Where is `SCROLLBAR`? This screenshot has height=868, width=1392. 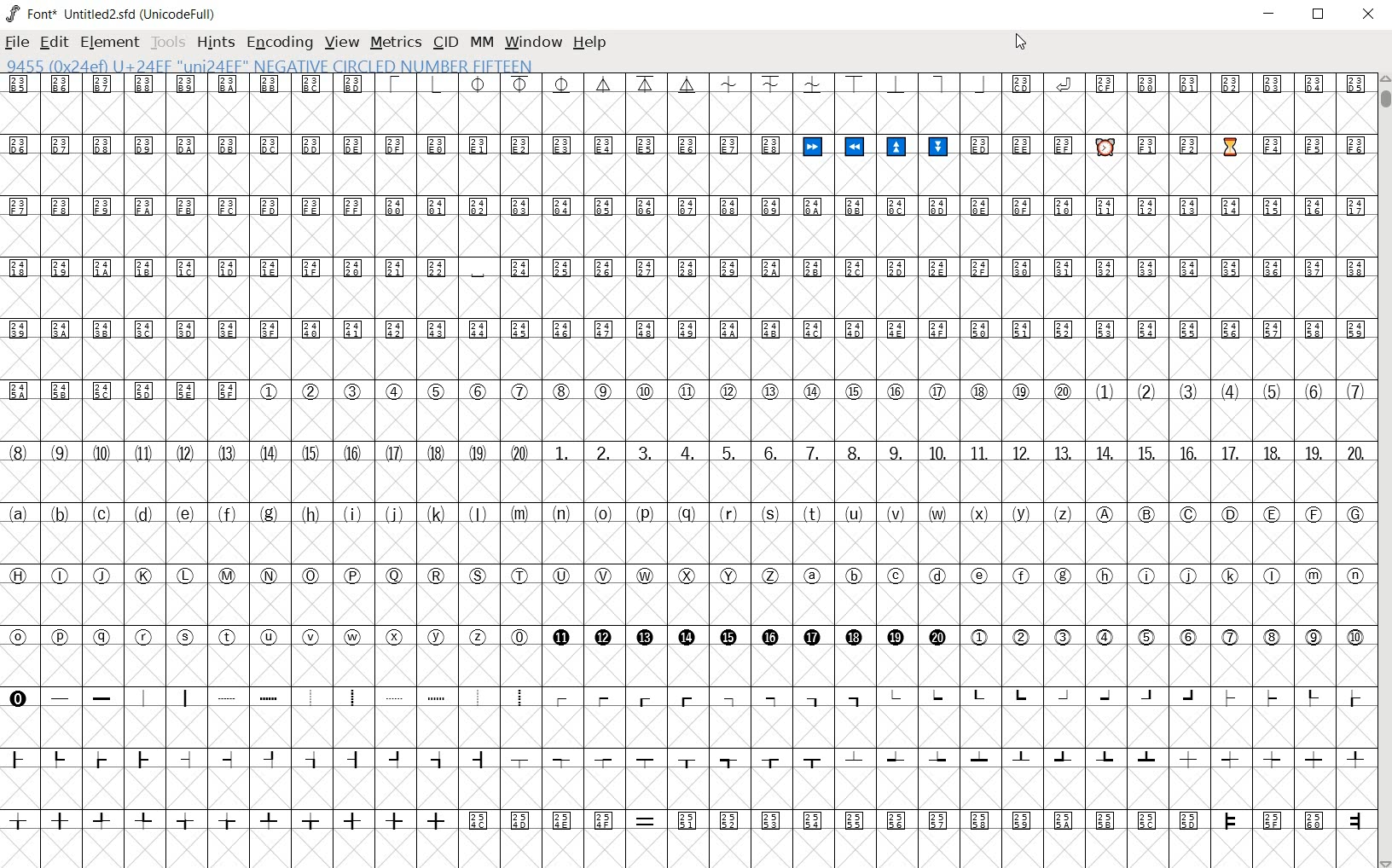
SCROLLBAR is located at coordinates (1383, 471).